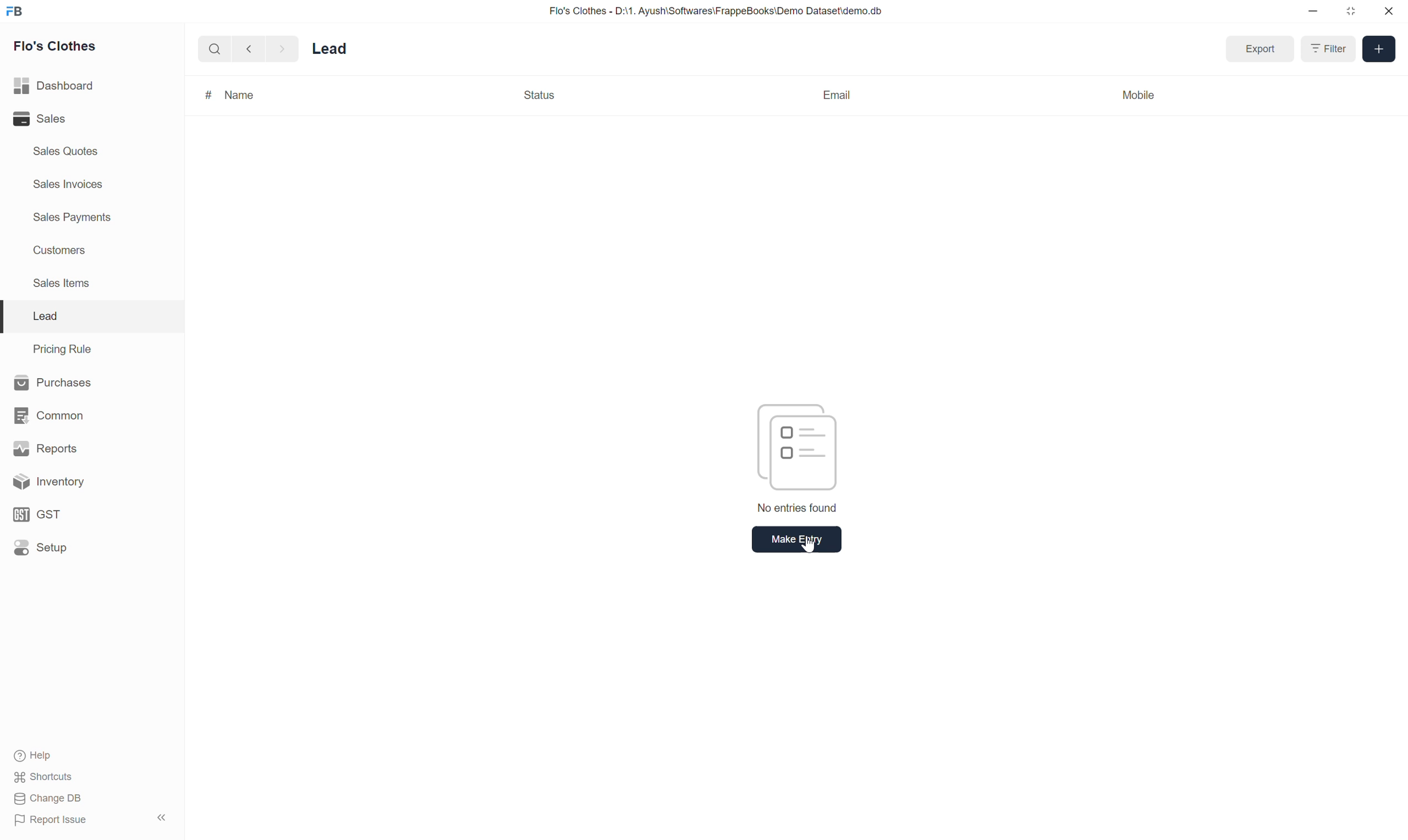 The image size is (1408, 840). Describe the element at coordinates (242, 95) in the screenshot. I see `Name` at that location.